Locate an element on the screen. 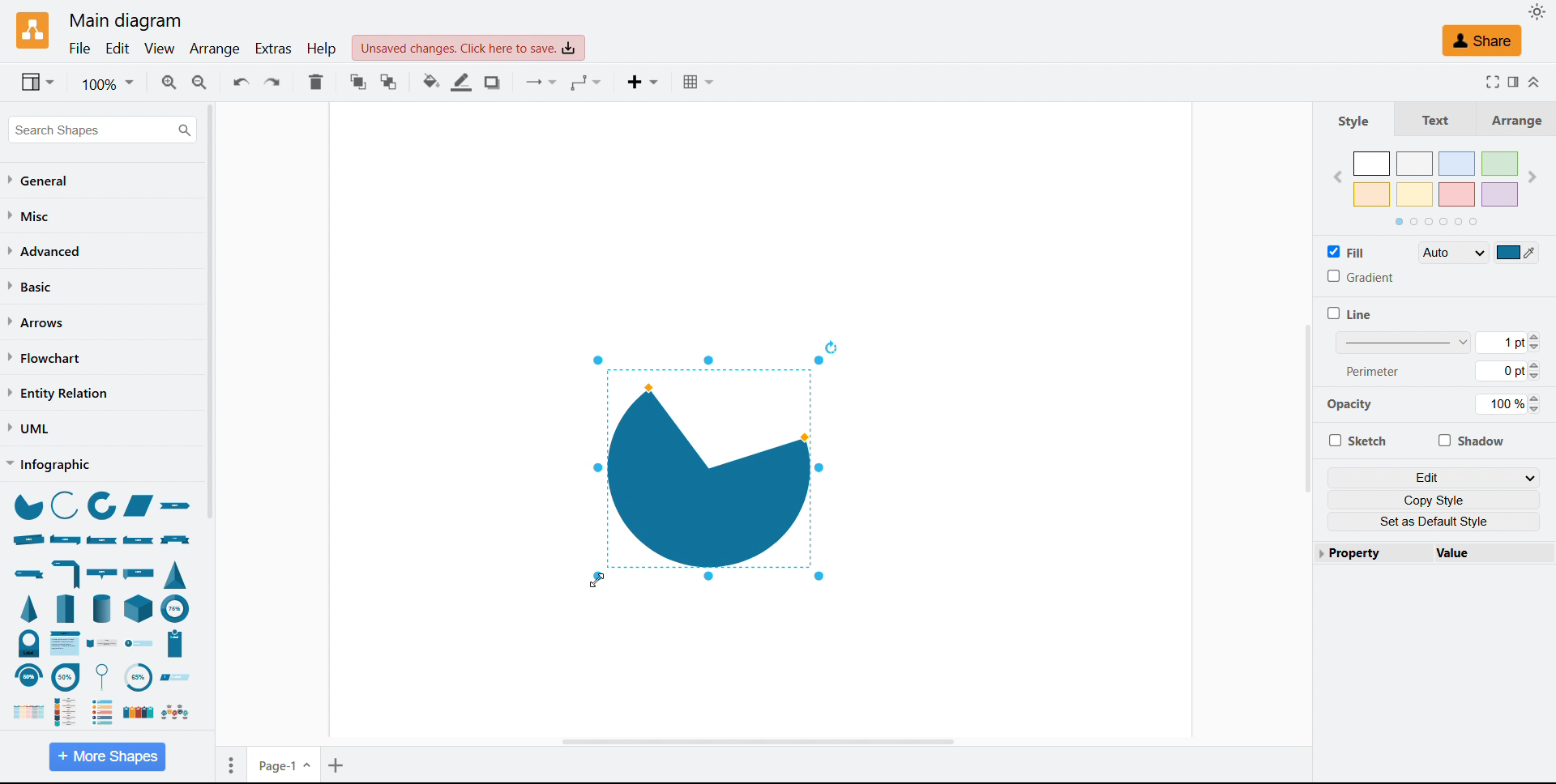 Image resolution: width=1556 pixels, height=784 pixels. Go back  is located at coordinates (1337, 178).